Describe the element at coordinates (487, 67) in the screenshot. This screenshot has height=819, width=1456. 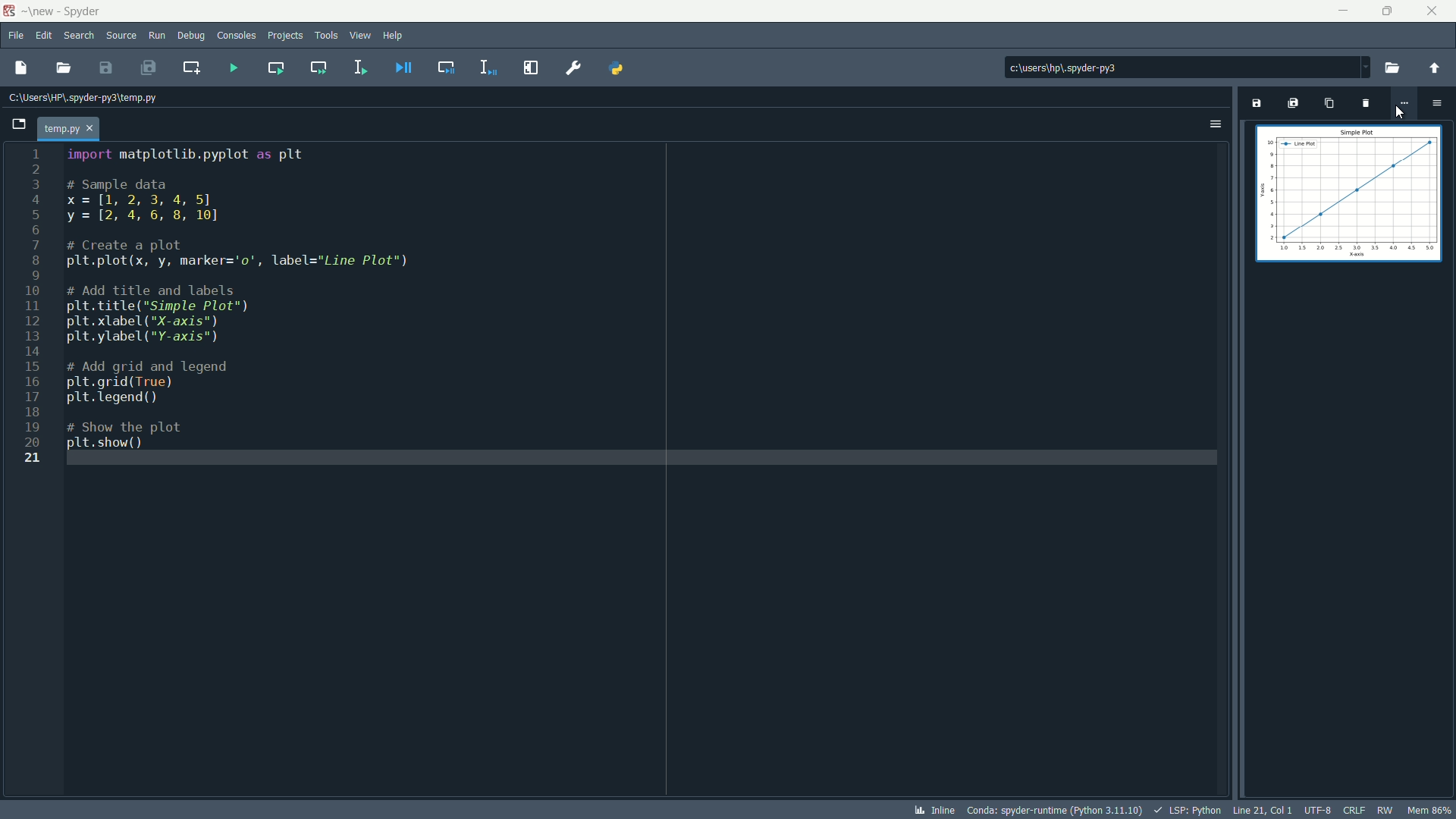
I see `debug selection or current line` at that location.